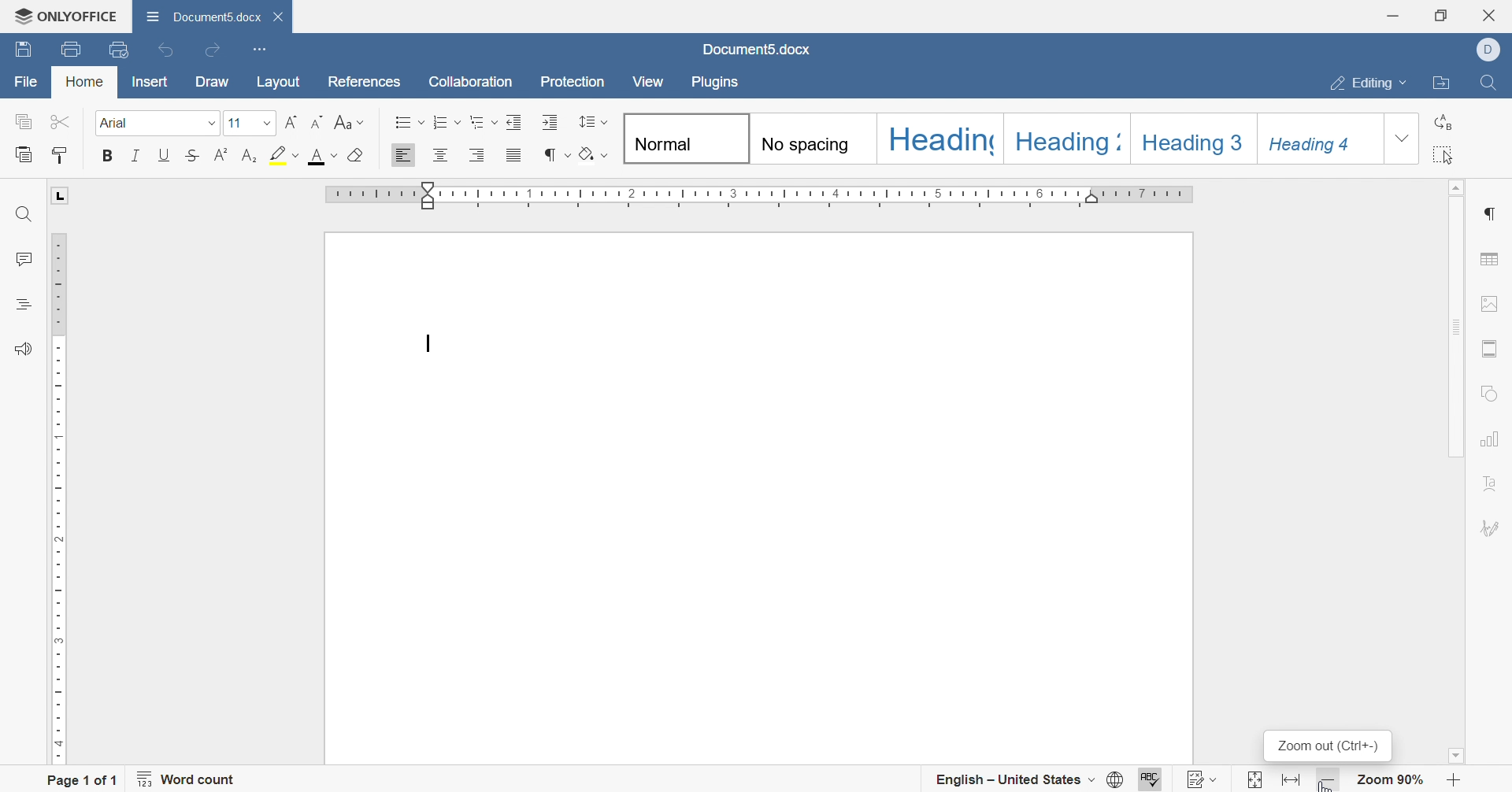 This screenshot has height=792, width=1512. I want to click on drop down, so click(1399, 139).